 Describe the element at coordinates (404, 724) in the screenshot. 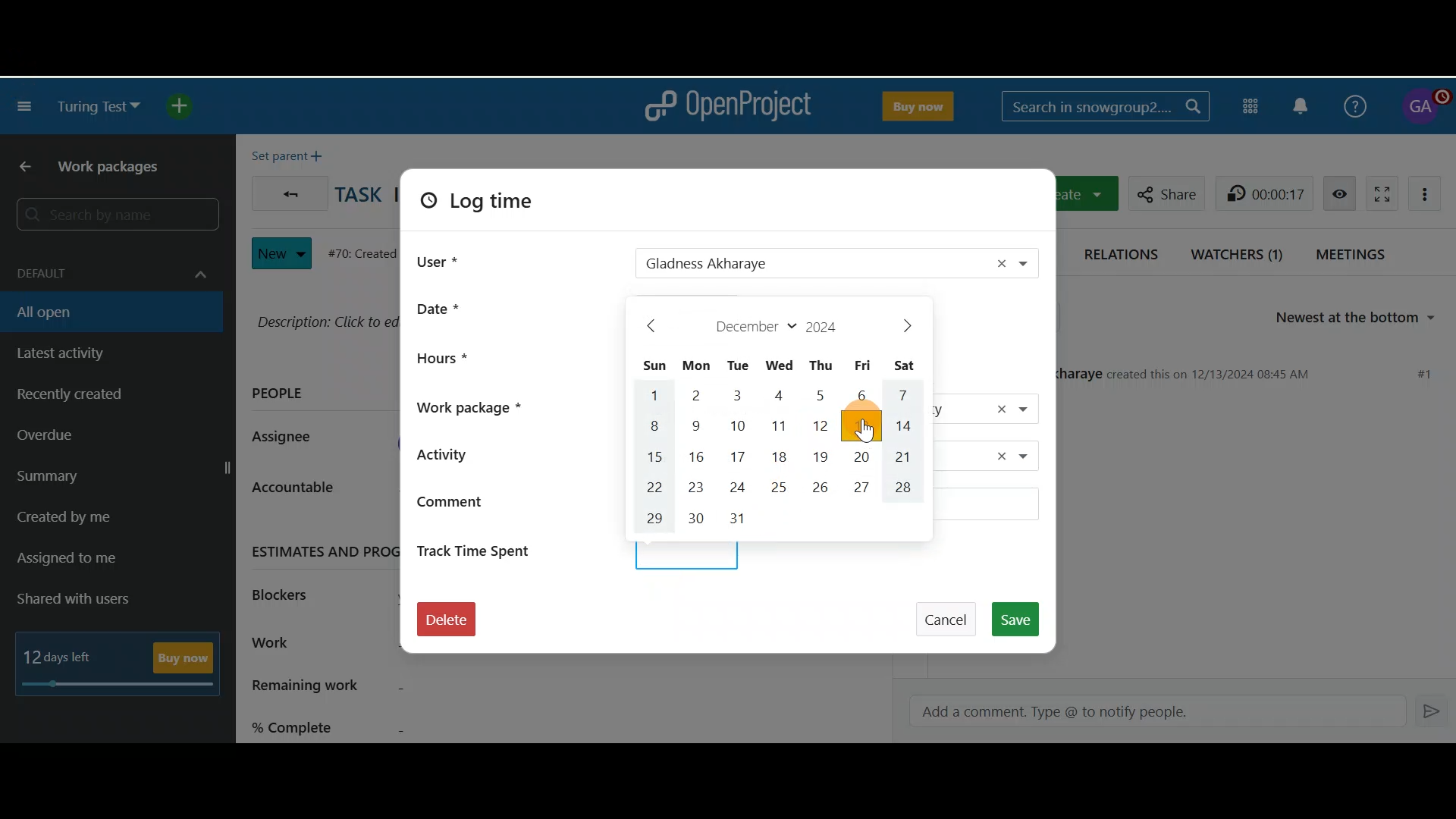

I see `% complete` at that location.